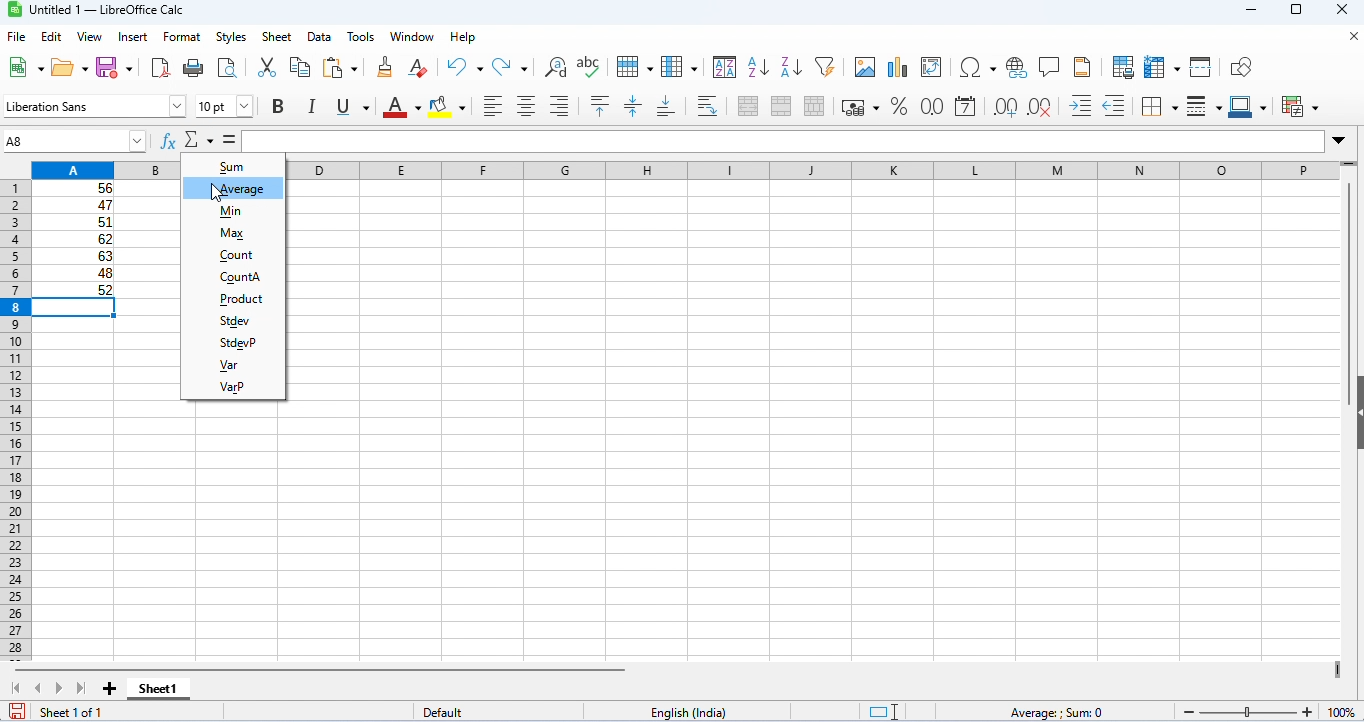 Image resolution: width=1364 pixels, height=722 pixels. What do you see at coordinates (465, 67) in the screenshot?
I see `undo` at bounding box center [465, 67].